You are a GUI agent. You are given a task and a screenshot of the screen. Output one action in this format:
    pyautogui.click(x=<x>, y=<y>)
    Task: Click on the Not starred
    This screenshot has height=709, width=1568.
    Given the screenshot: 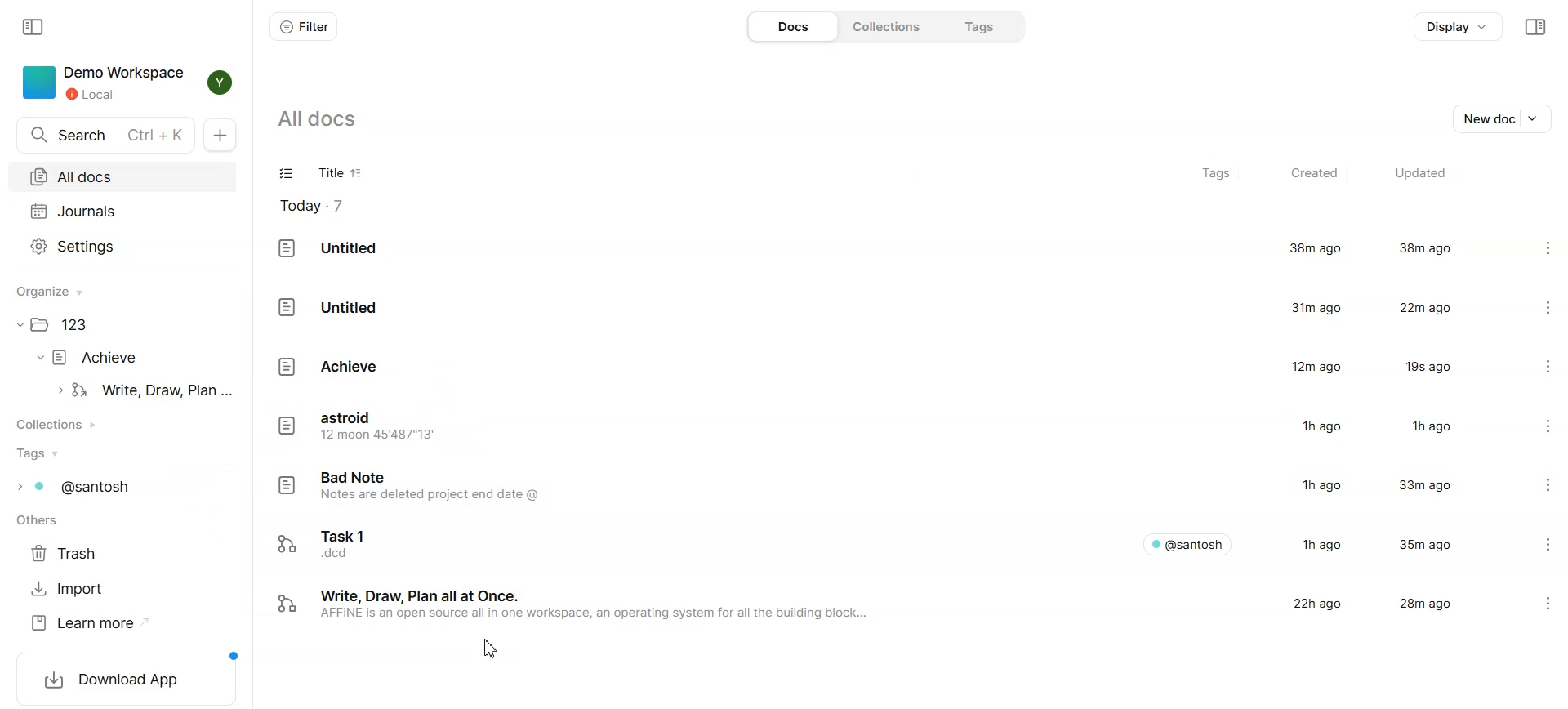 What is the action you would take?
    pyautogui.click(x=1517, y=604)
    